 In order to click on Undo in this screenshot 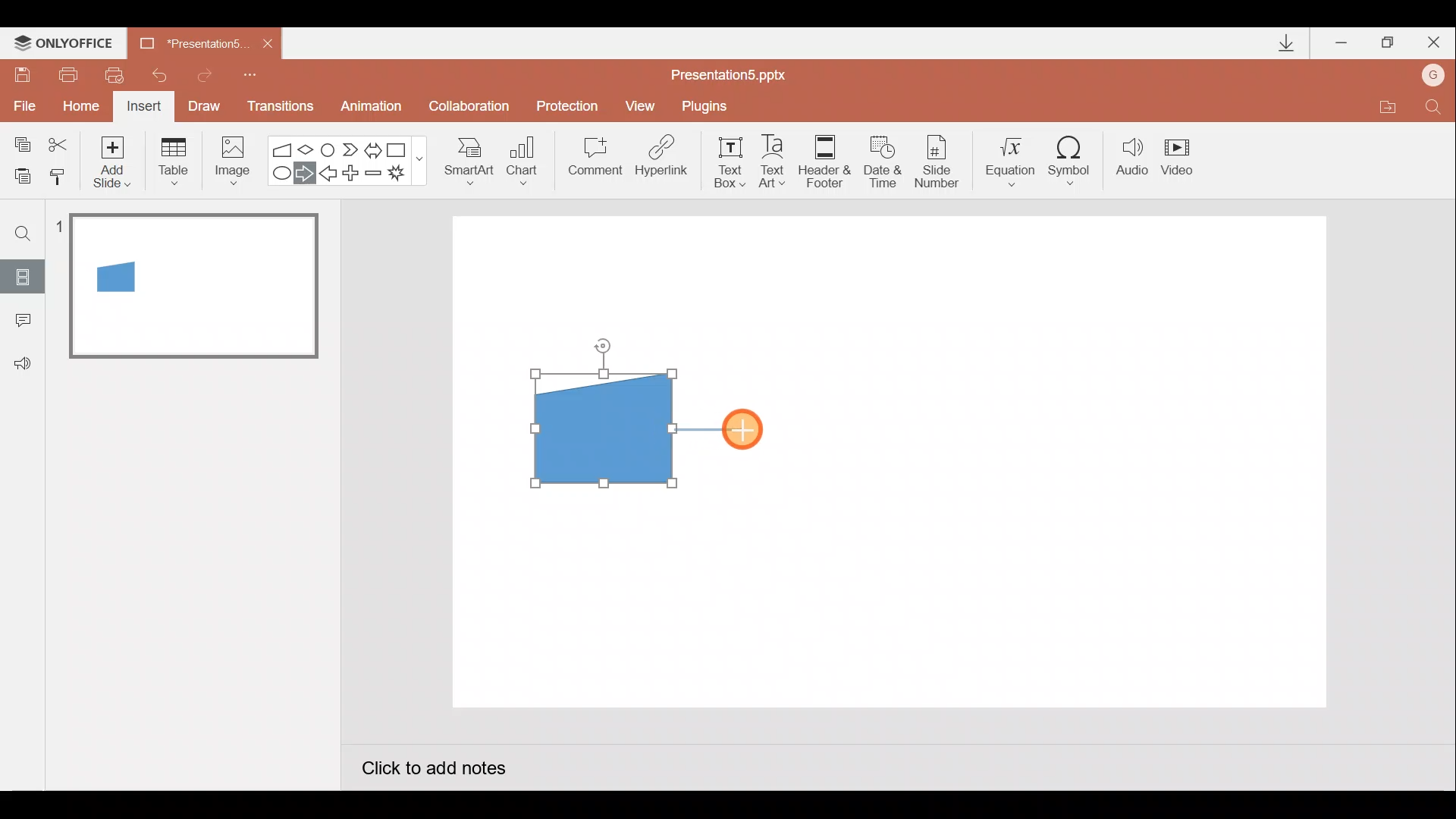, I will do `click(162, 75)`.